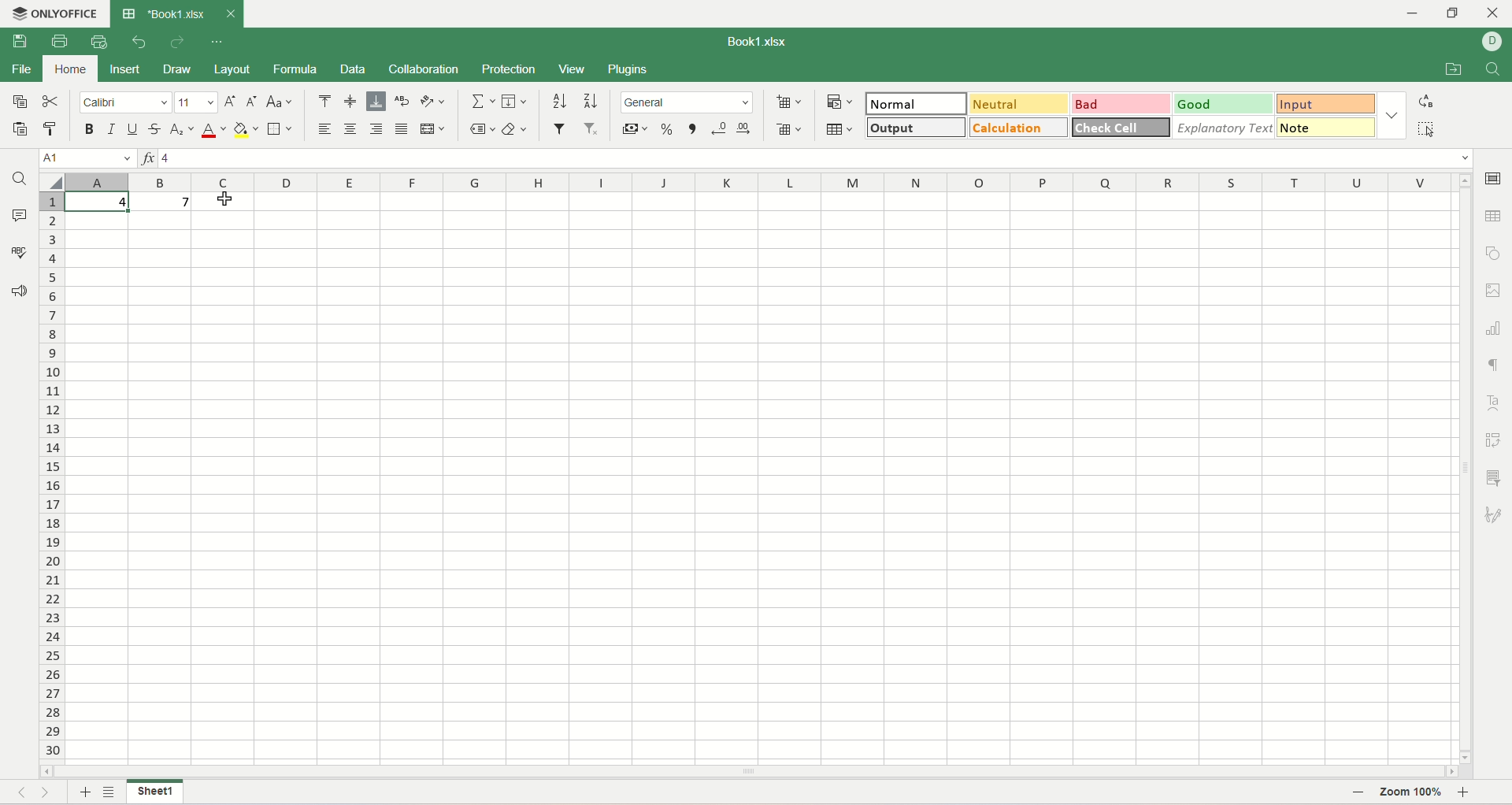 Image resolution: width=1512 pixels, height=805 pixels. What do you see at coordinates (51, 180) in the screenshot?
I see `select all` at bounding box center [51, 180].